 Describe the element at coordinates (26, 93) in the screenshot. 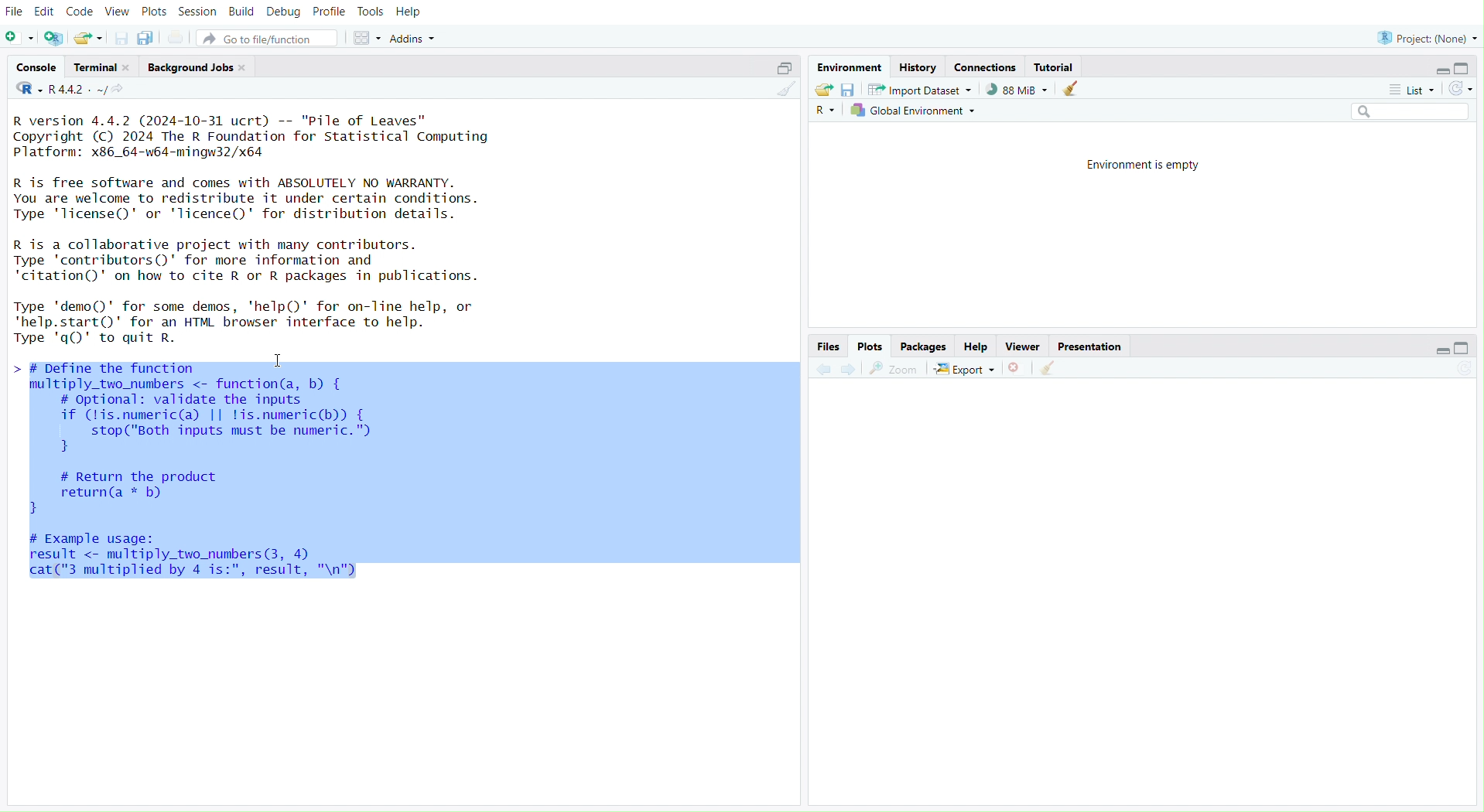

I see `R` at that location.